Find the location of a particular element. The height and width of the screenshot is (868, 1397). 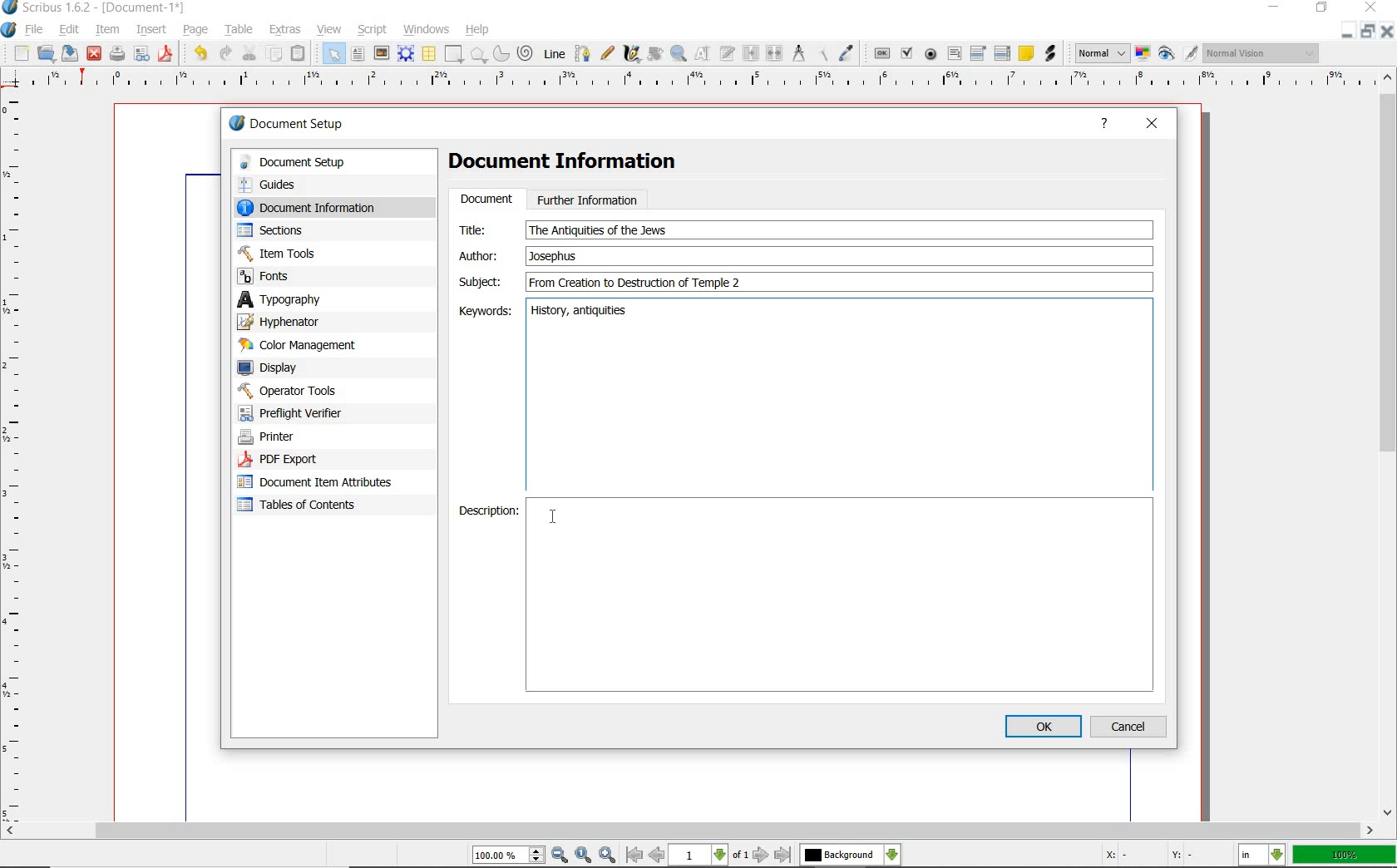

save is located at coordinates (72, 53).